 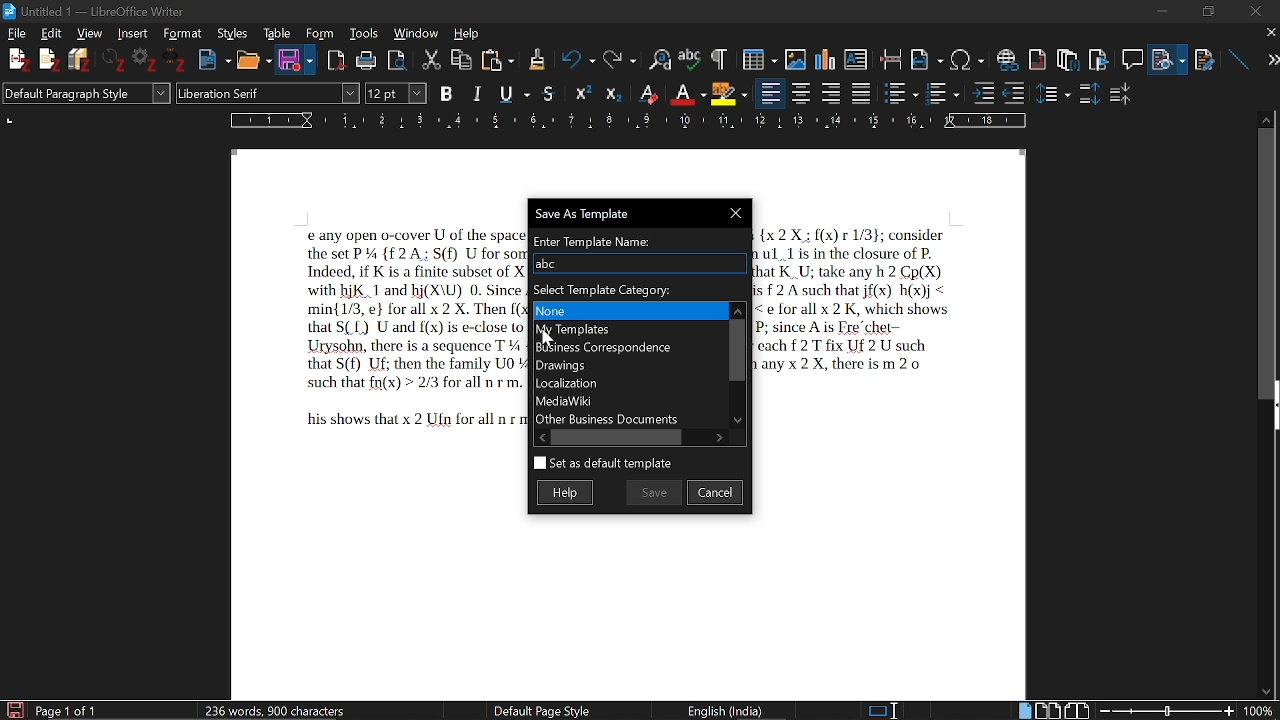 What do you see at coordinates (736, 348) in the screenshot?
I see `Vertical scrollbar` at bounding box center [736, 348].